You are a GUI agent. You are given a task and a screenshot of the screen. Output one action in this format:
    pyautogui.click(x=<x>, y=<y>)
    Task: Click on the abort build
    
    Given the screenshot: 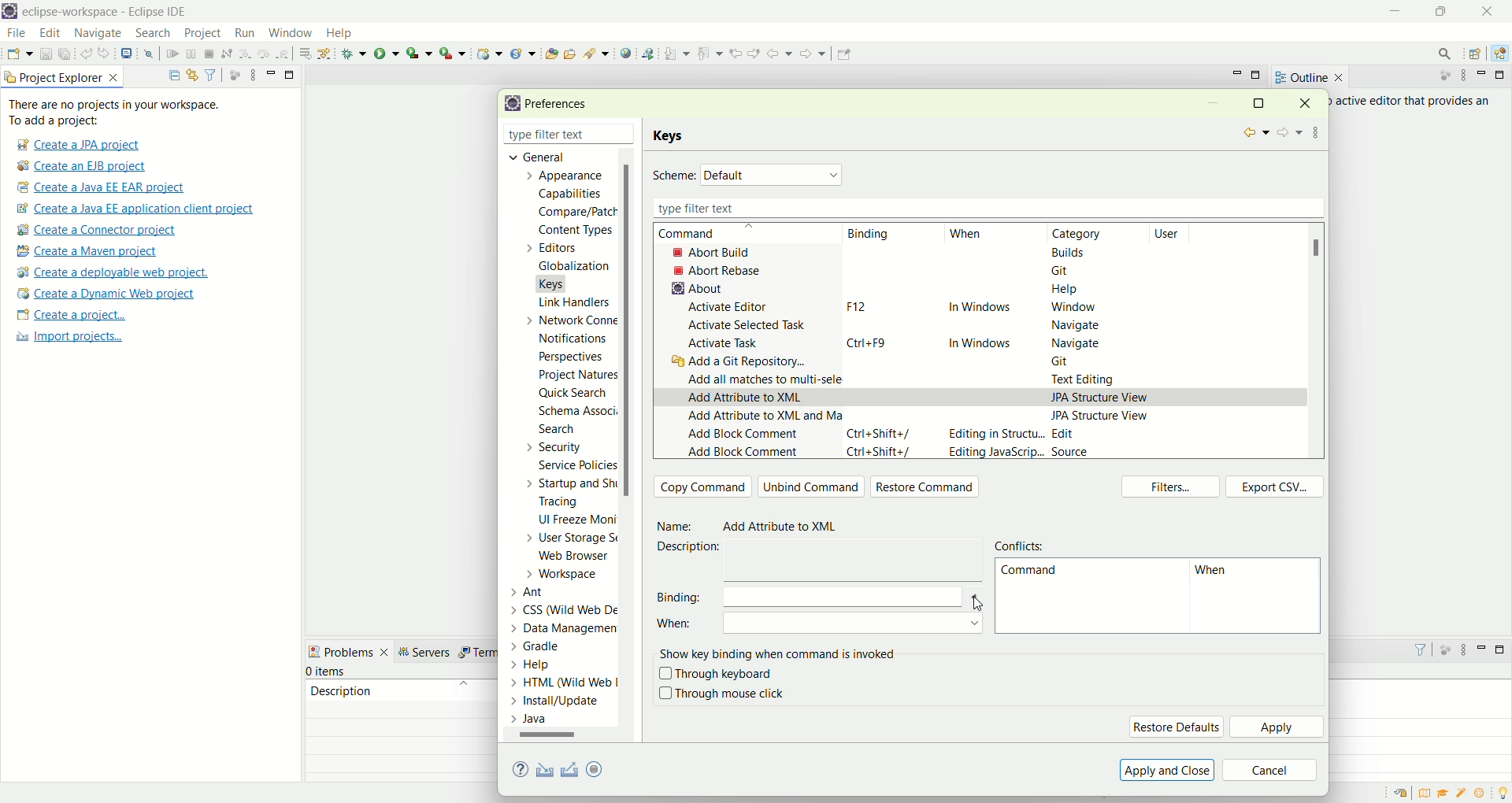 What is the action you would take?
    pyautogui.click(x=725, y=252)
    